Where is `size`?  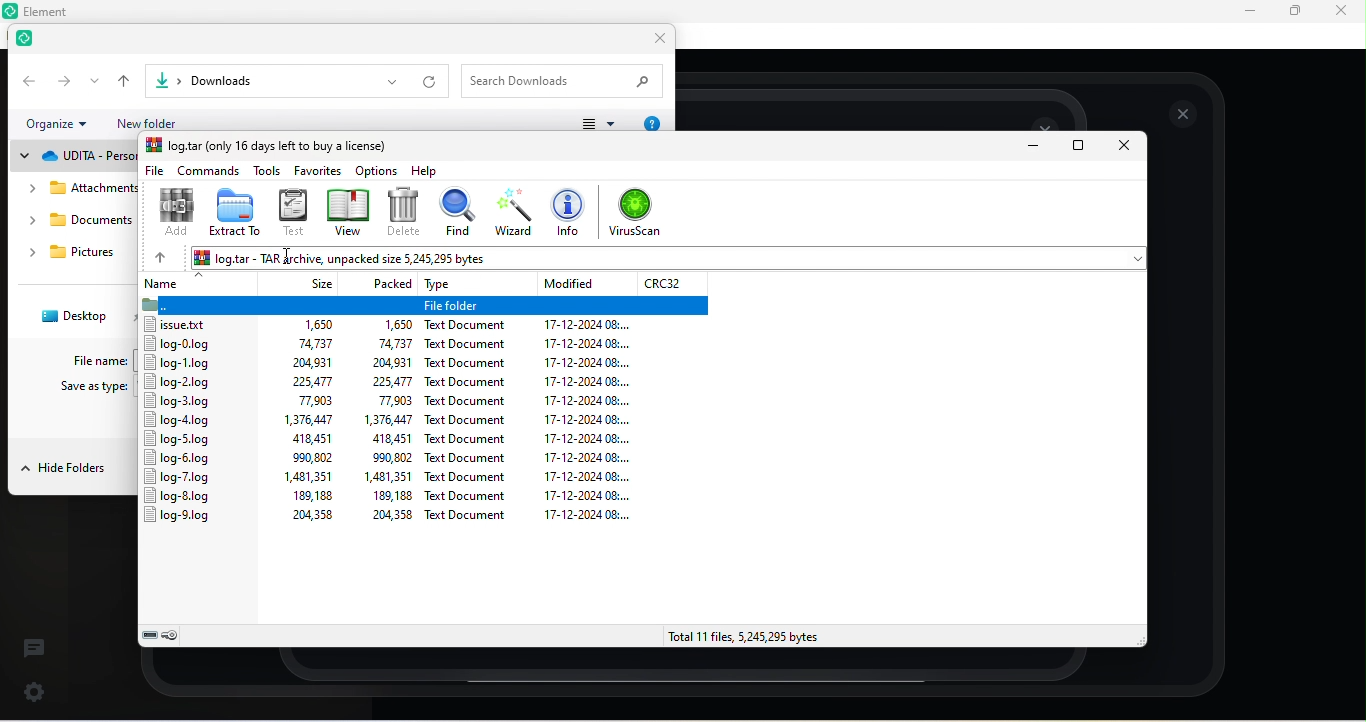 size is located at coordinates (307, 284).